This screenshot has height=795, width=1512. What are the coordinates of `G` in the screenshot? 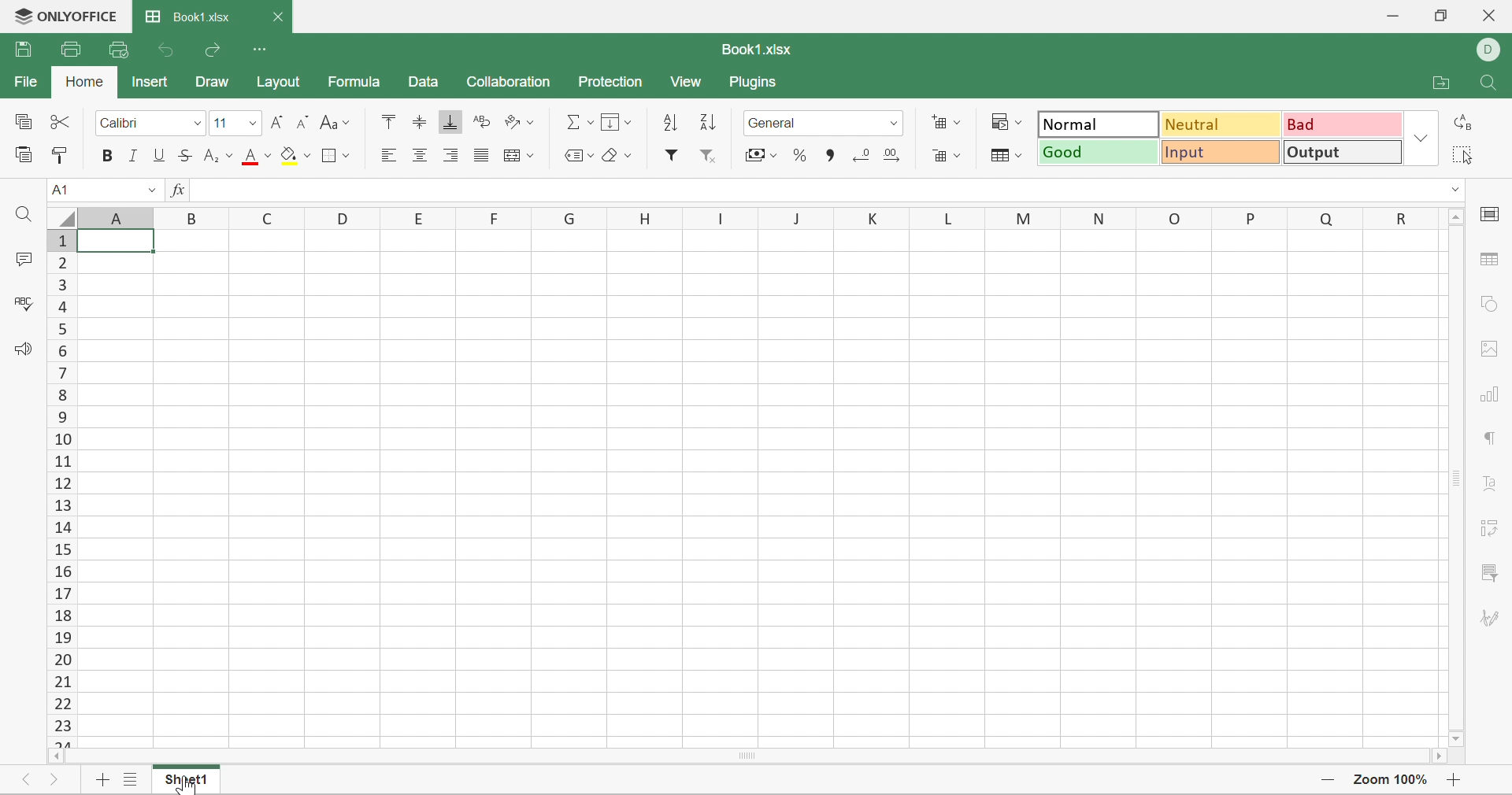 It's located at (571, 217).